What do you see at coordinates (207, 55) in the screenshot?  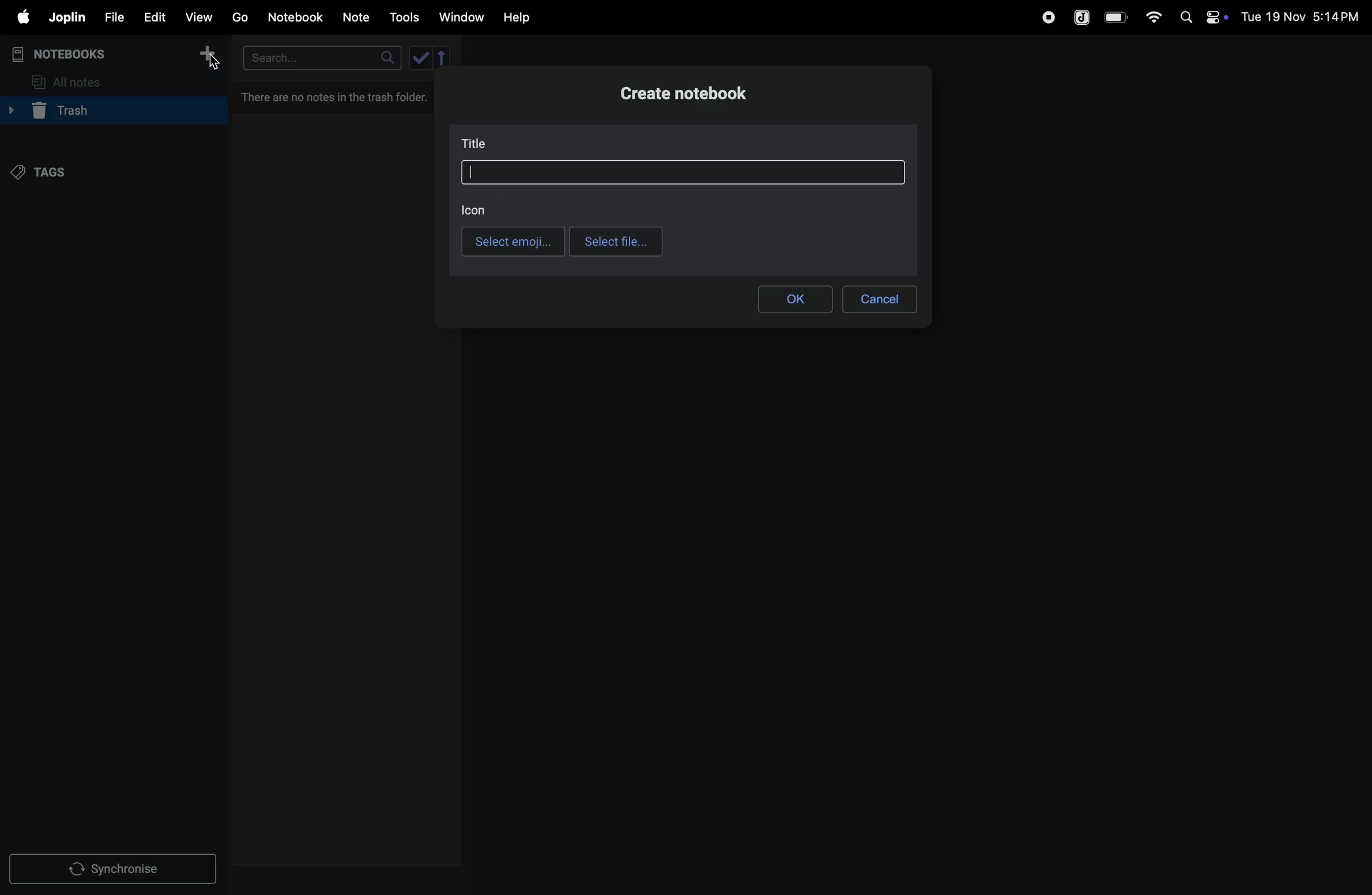 I see `add` at bounding box center [207, 55].